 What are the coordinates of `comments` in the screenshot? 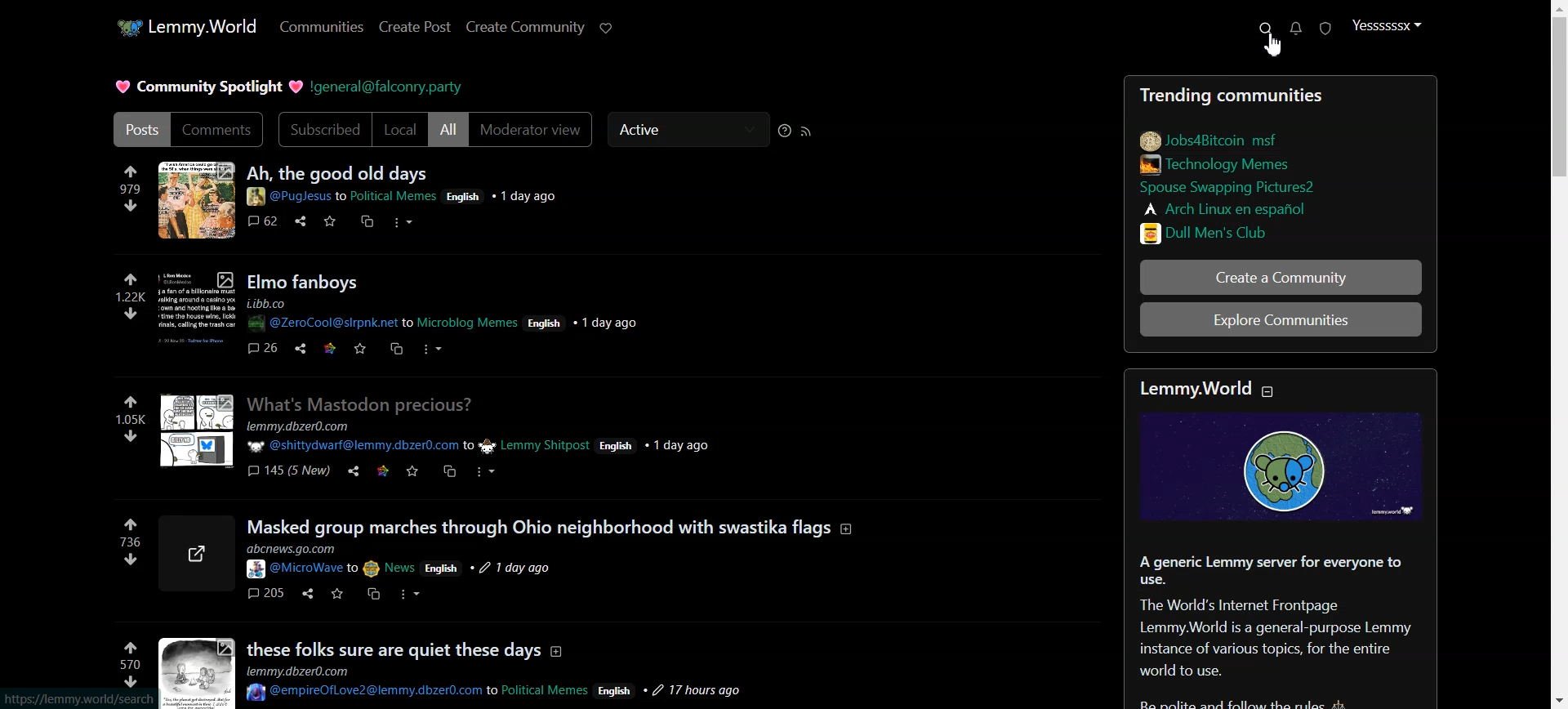 It's located at (261, 221).